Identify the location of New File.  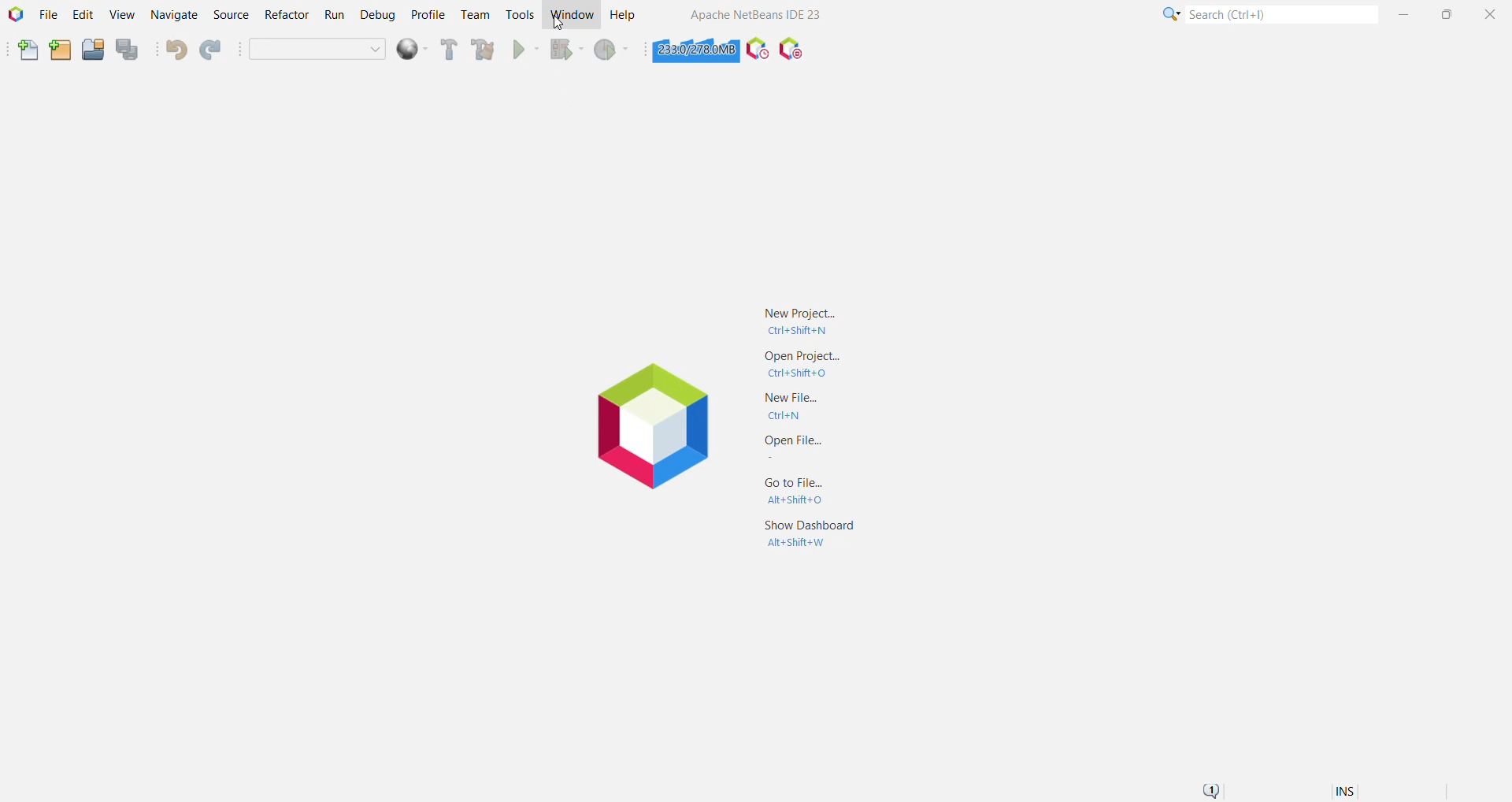
(806, 404).